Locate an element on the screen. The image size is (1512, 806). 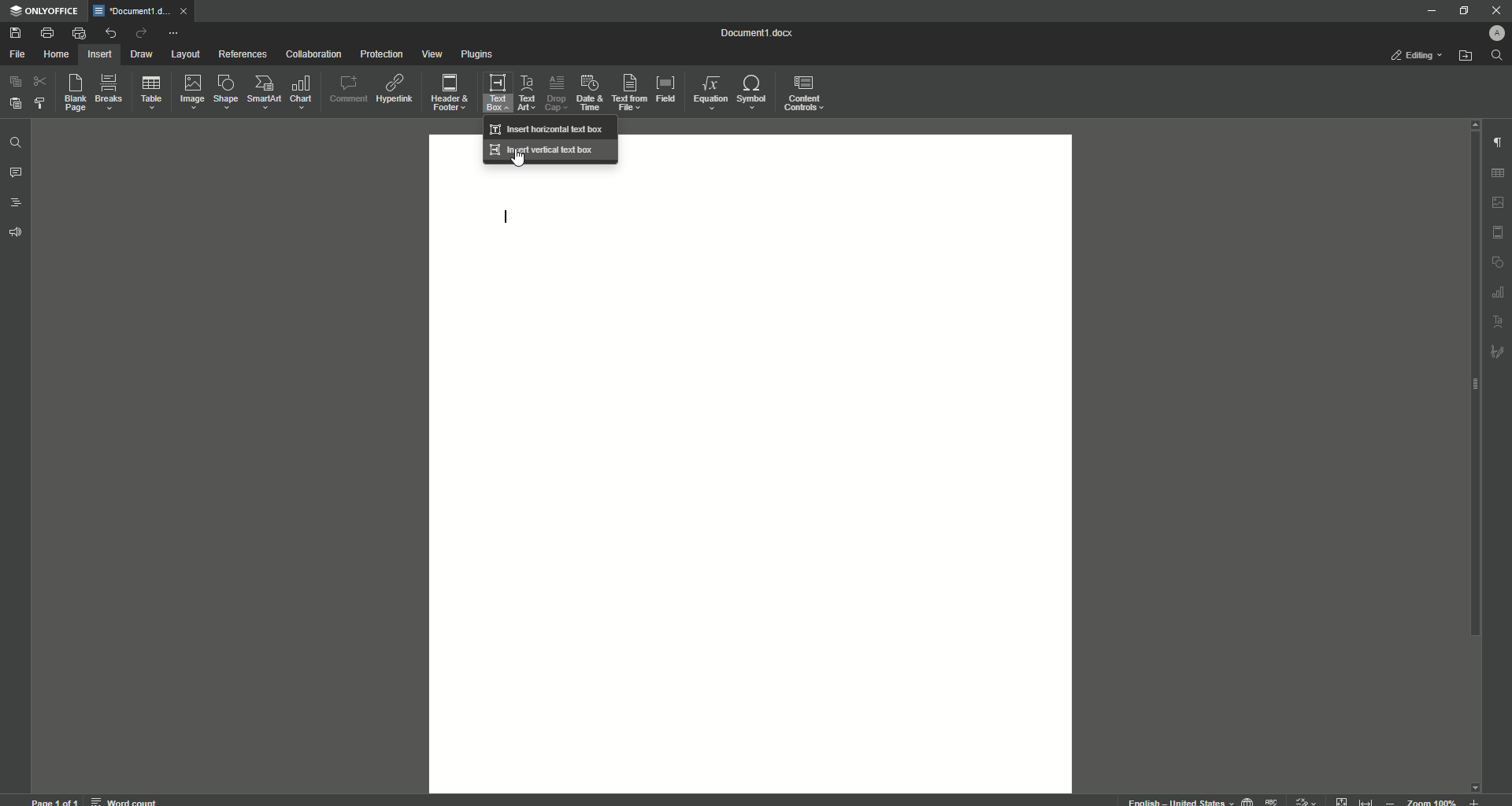
Table is located at coordinates (151, 95).